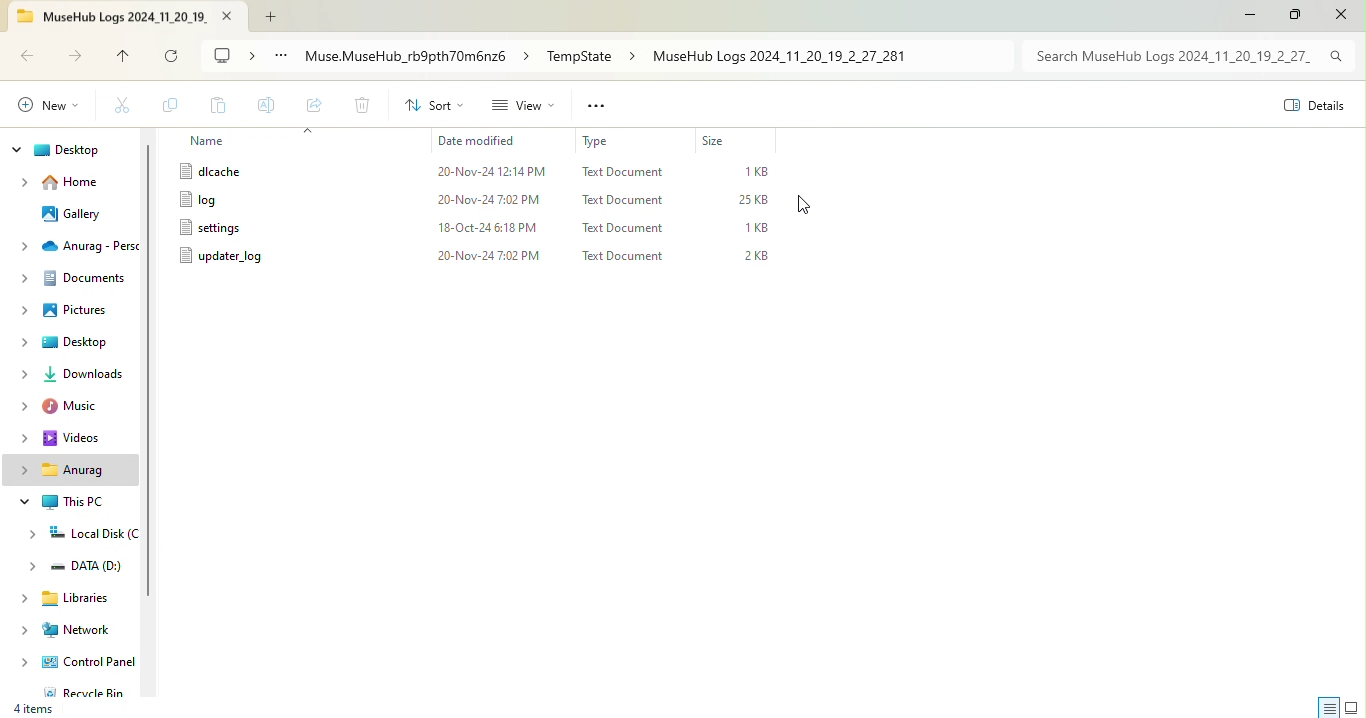  What do you see at coordinates (69, 376) in the screenshot?
I see `Downloads` at bounding box center [69, 376].